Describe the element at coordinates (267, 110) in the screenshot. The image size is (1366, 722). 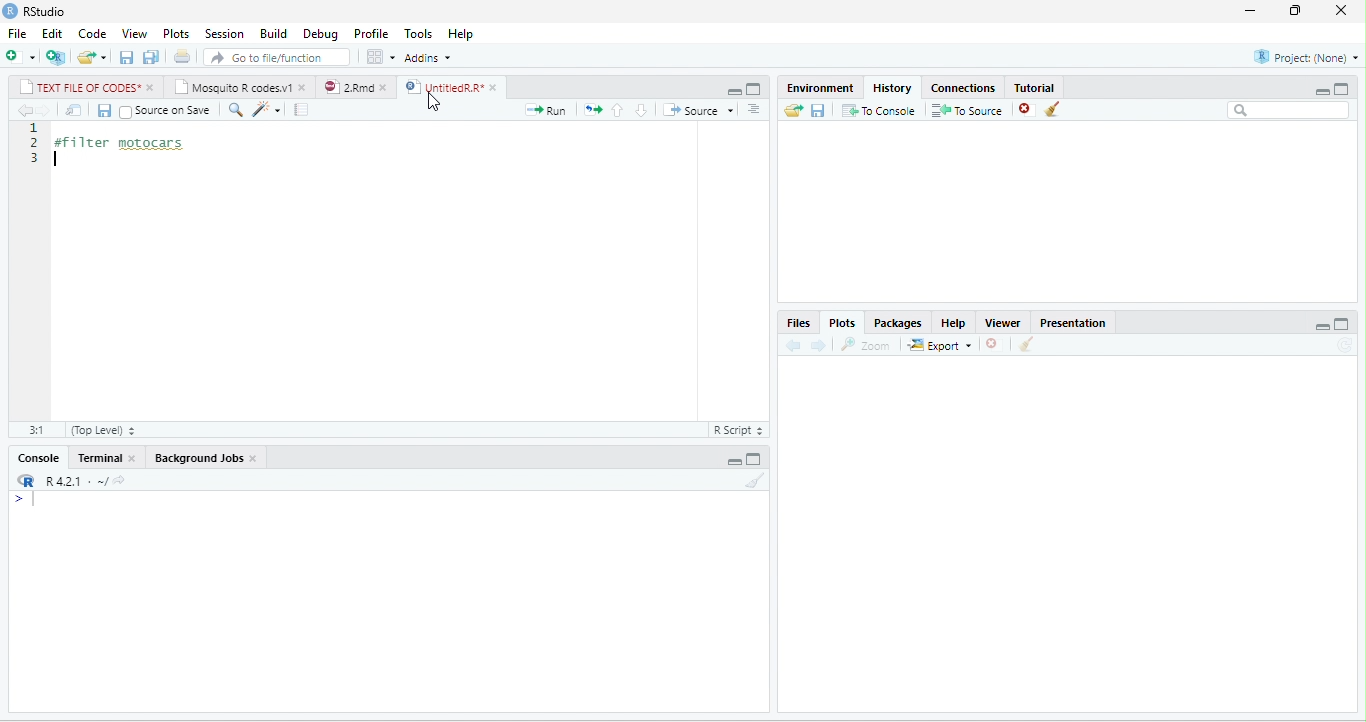
I see `code tools` at that location.